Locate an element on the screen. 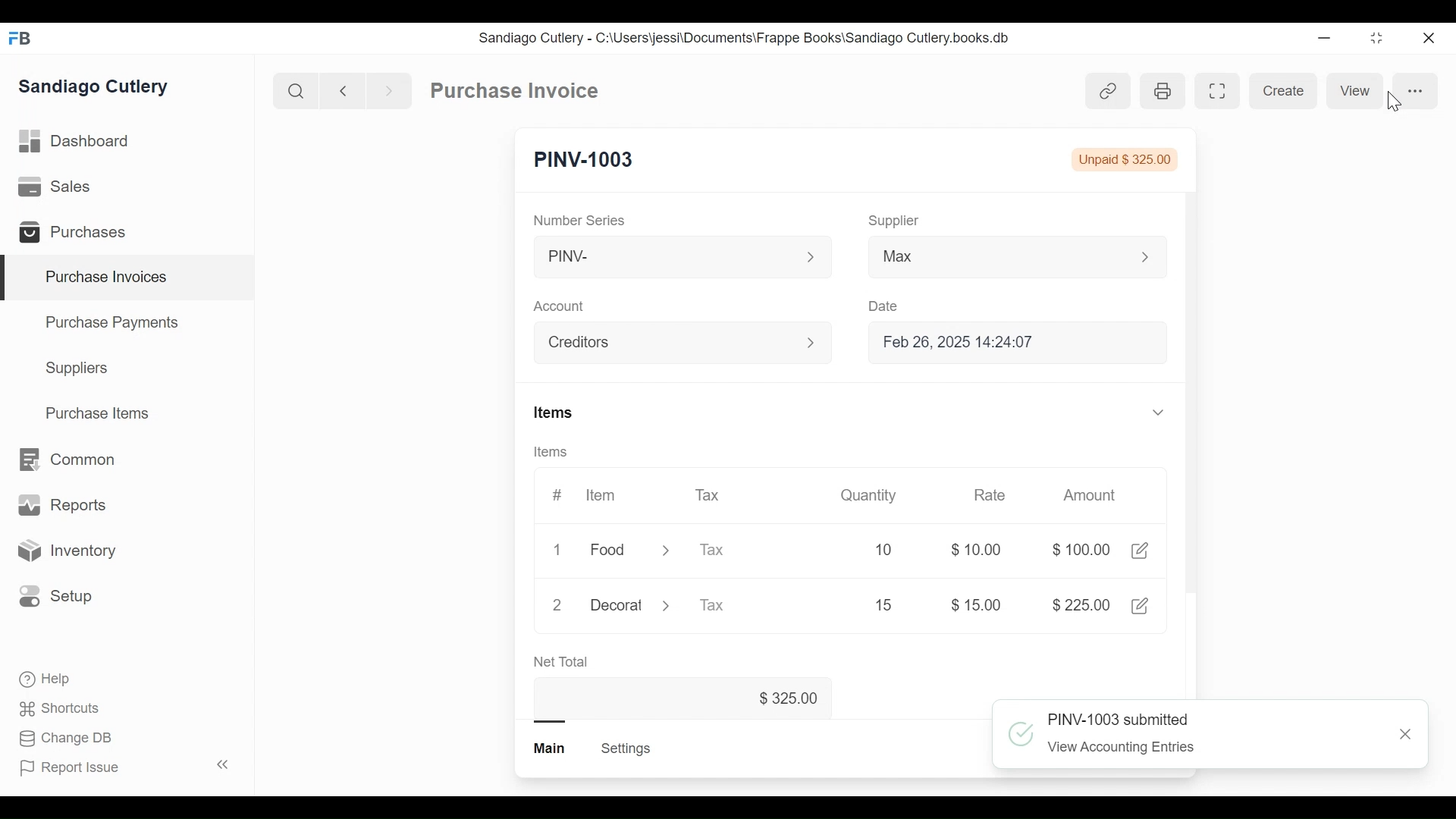 This screenshot has height=819, width=1456. Sales is located at coordinates (58, 187).